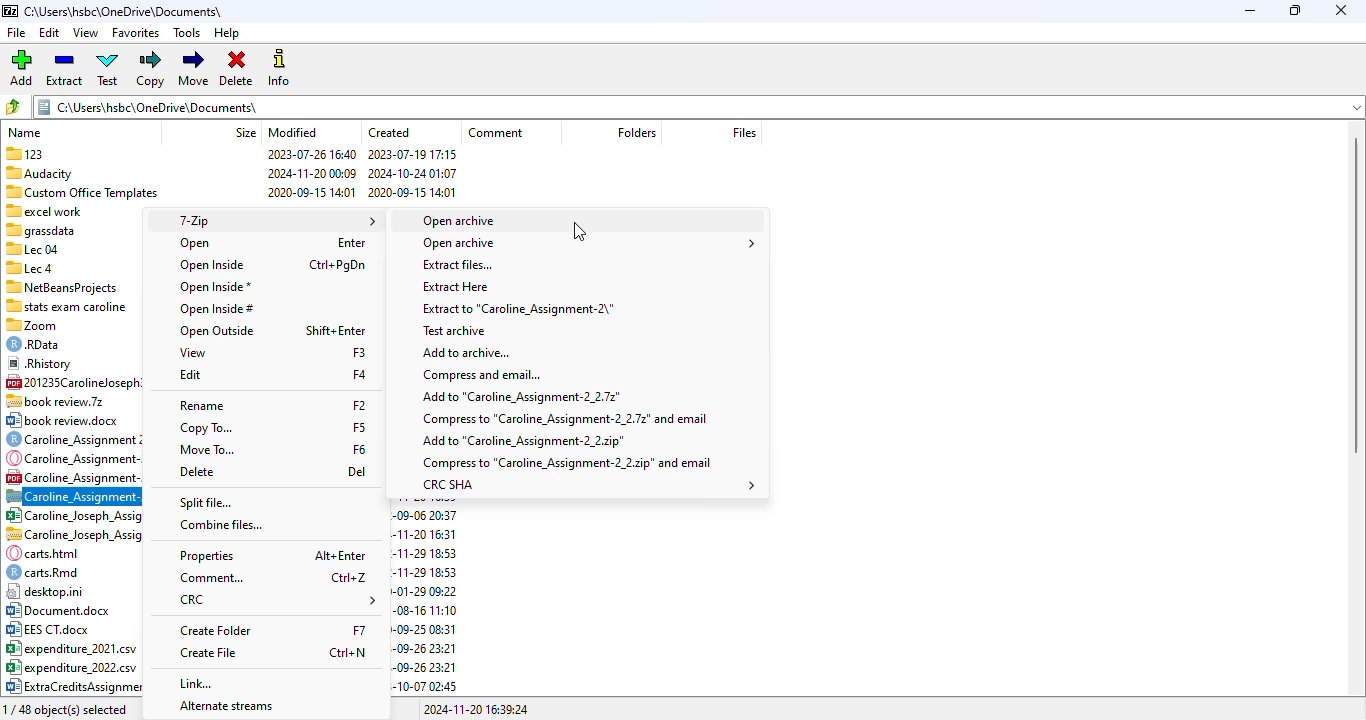 The image size is (1366, 720). I want to click on test archive, so click(456, 331).